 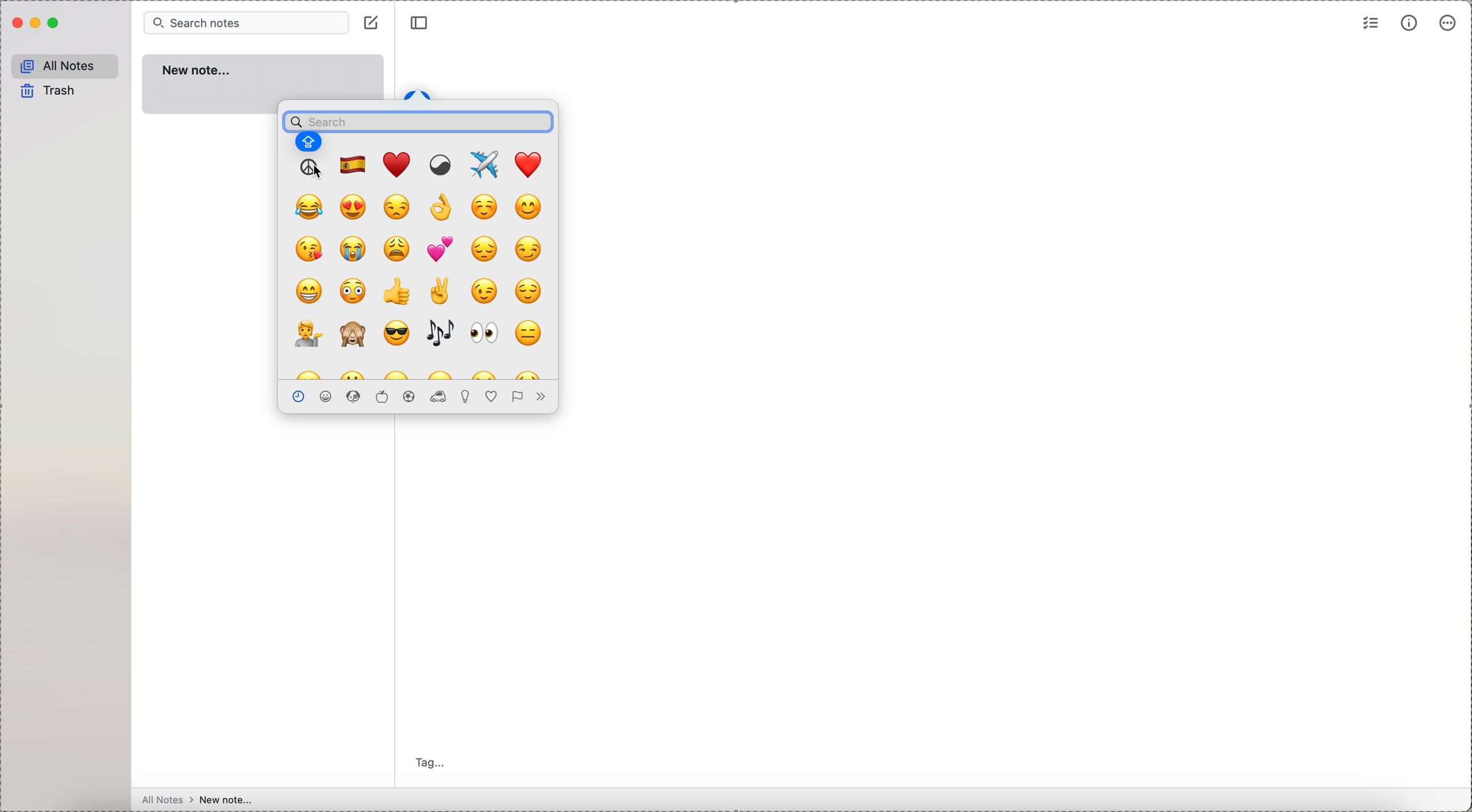 What do you see at coordinates (410, 396) in the screenshot?
I see `emojis` at bounding box center [410, 396].